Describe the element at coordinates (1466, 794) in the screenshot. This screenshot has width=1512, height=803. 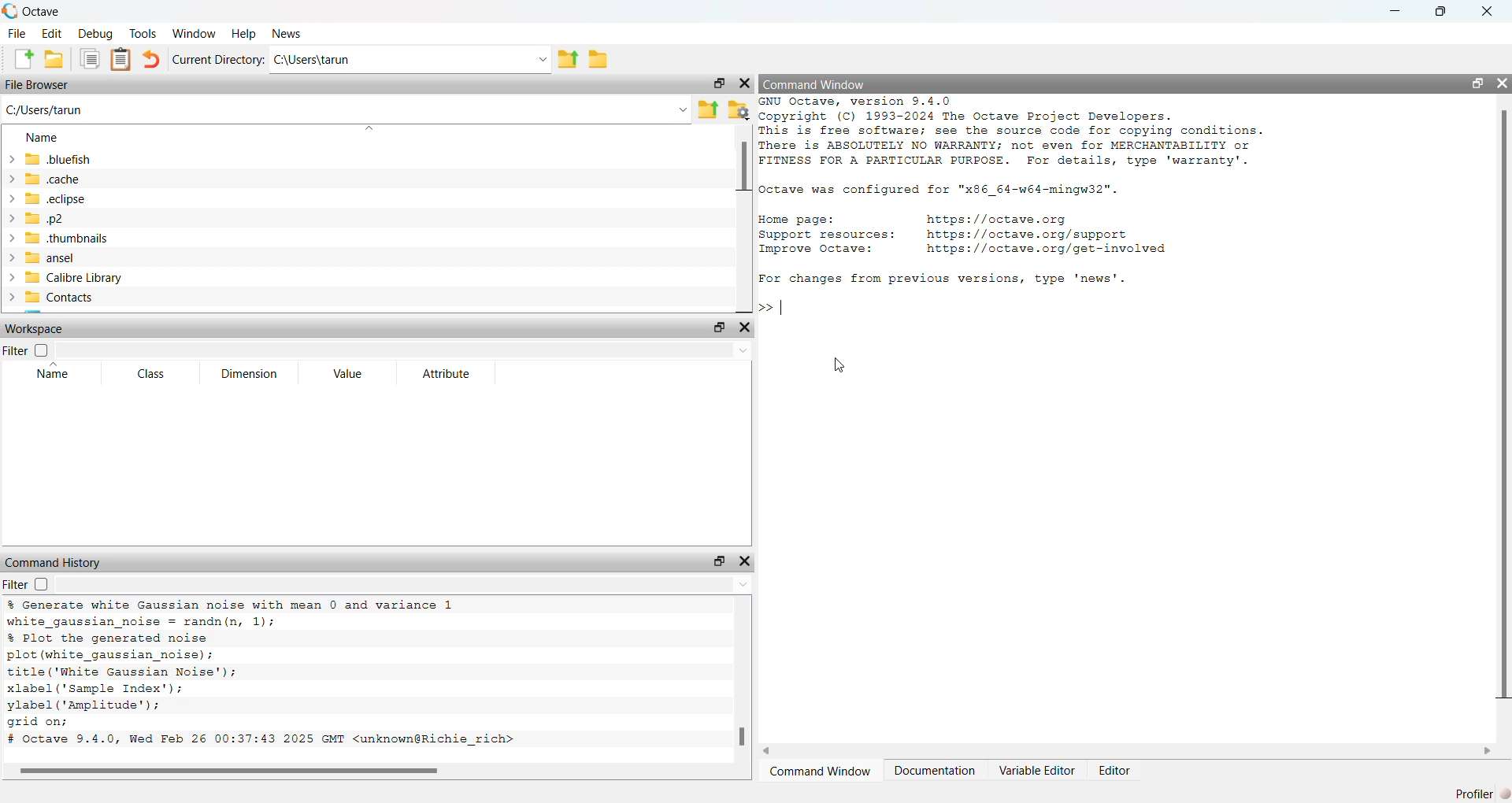
I see `profiler` at that location.